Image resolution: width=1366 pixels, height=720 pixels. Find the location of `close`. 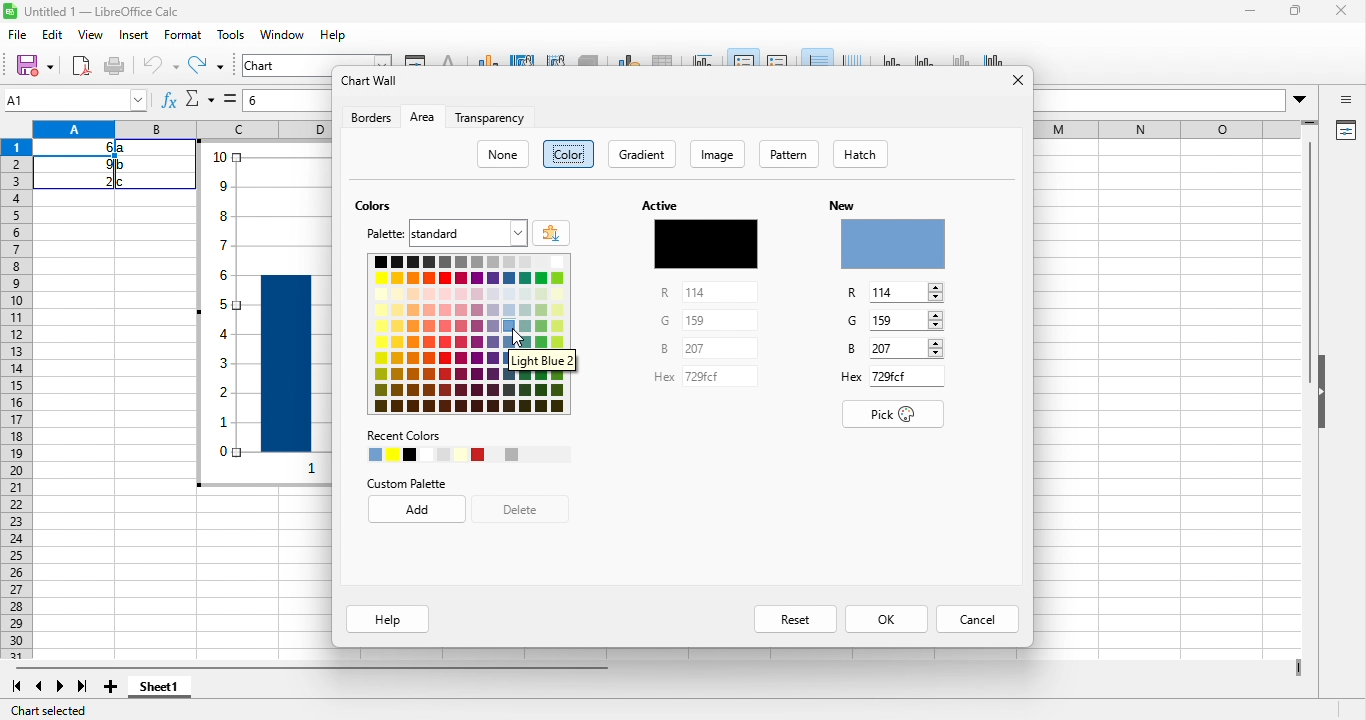

close is located at coordinates (1020, 83).